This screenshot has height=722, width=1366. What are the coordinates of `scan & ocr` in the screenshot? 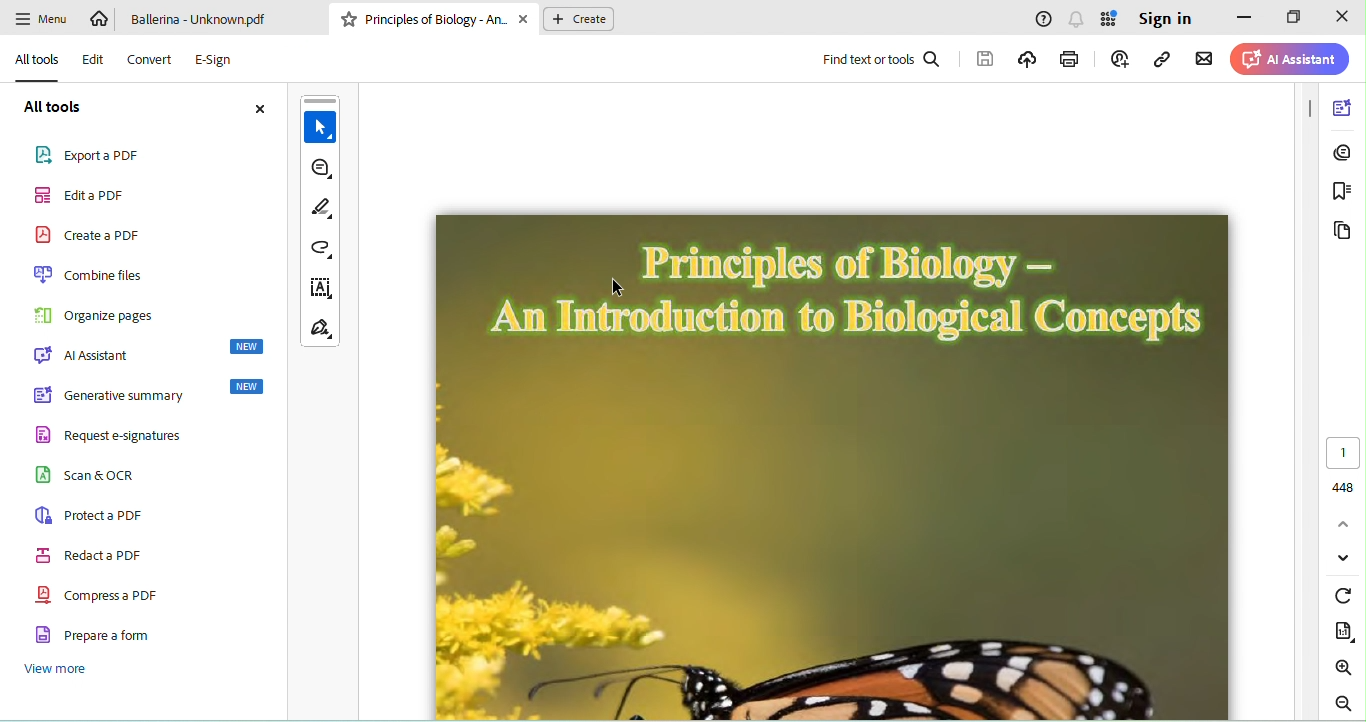 It's located at (105, 479).